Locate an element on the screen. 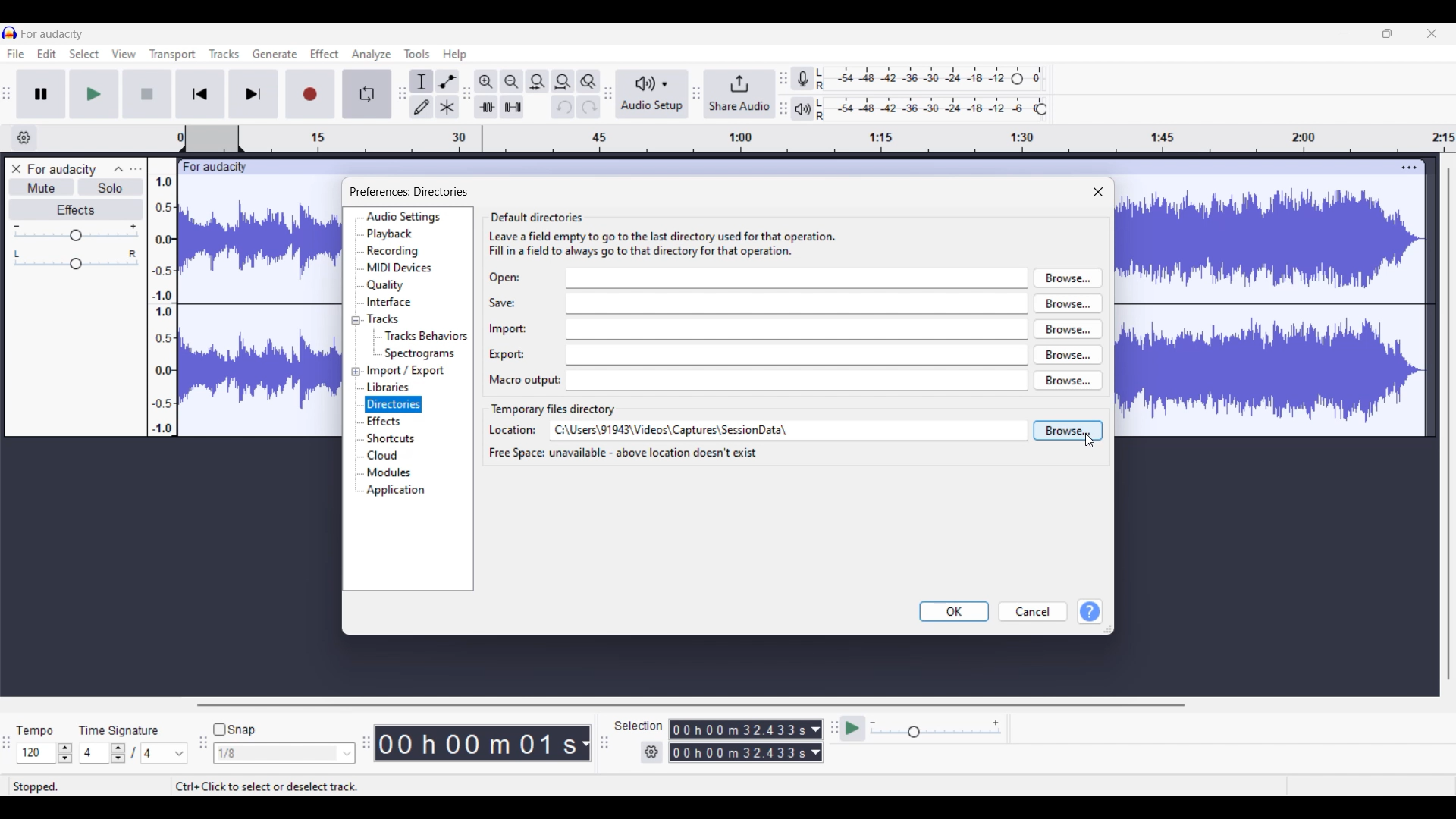 The width and height of the screenshot is (1456, 819). Measurement is located at coordinates (585, 744).